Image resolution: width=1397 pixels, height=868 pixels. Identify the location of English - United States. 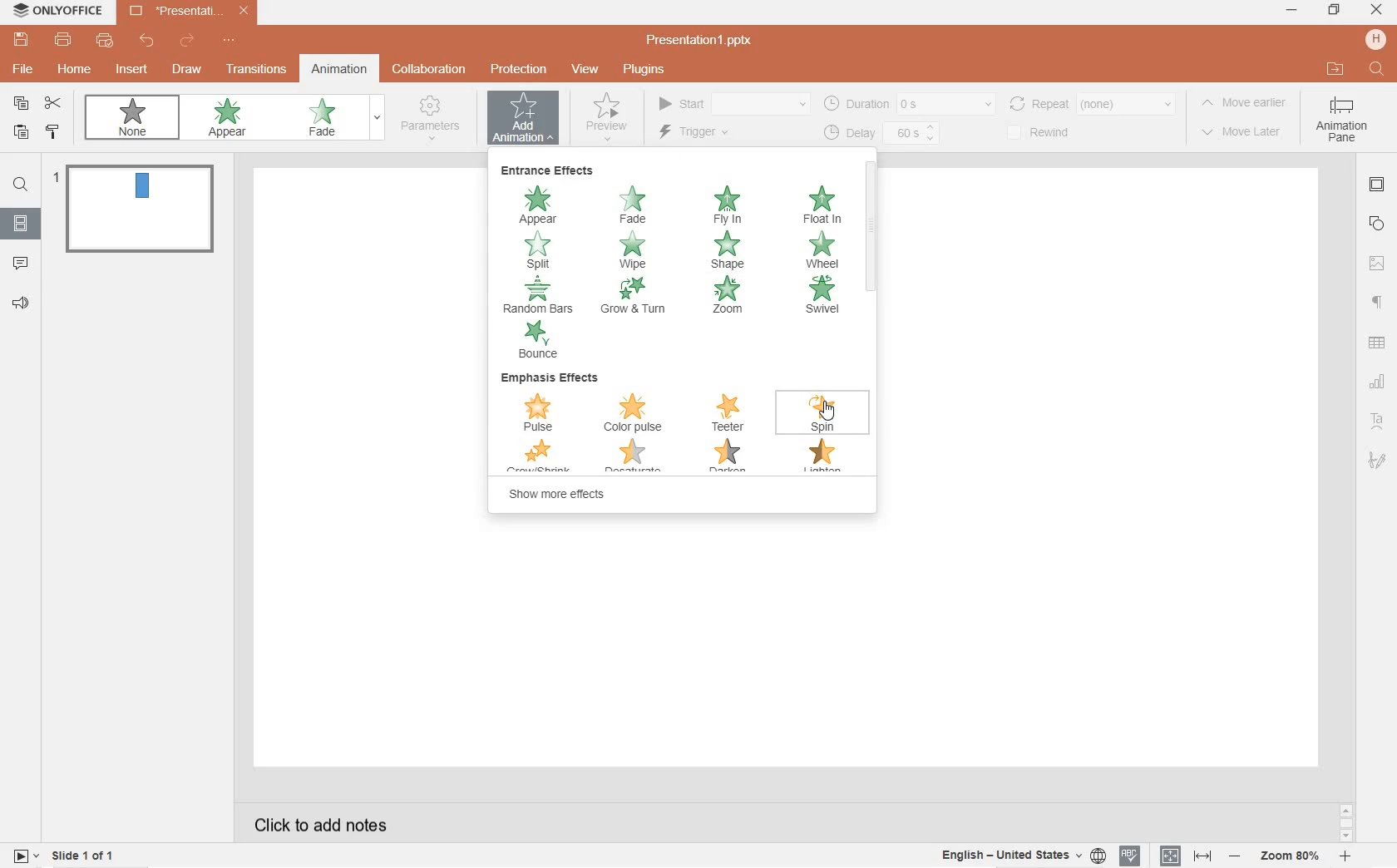
(1021, 856).